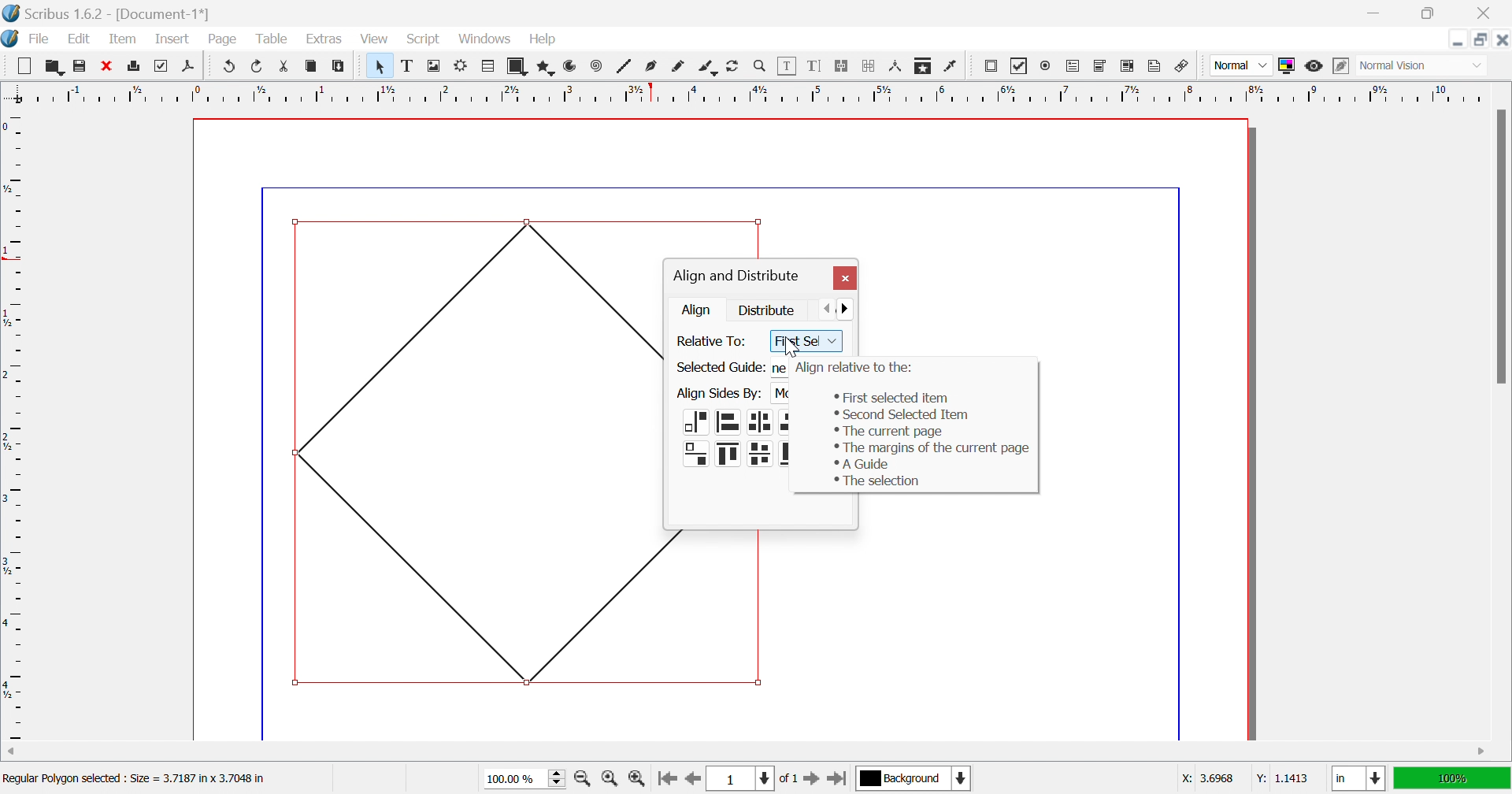 This screenshot has height=794, width=1512. Describe the element at coordinates (836, 781) in the screenshot. I see `Go to the last page` at that location.